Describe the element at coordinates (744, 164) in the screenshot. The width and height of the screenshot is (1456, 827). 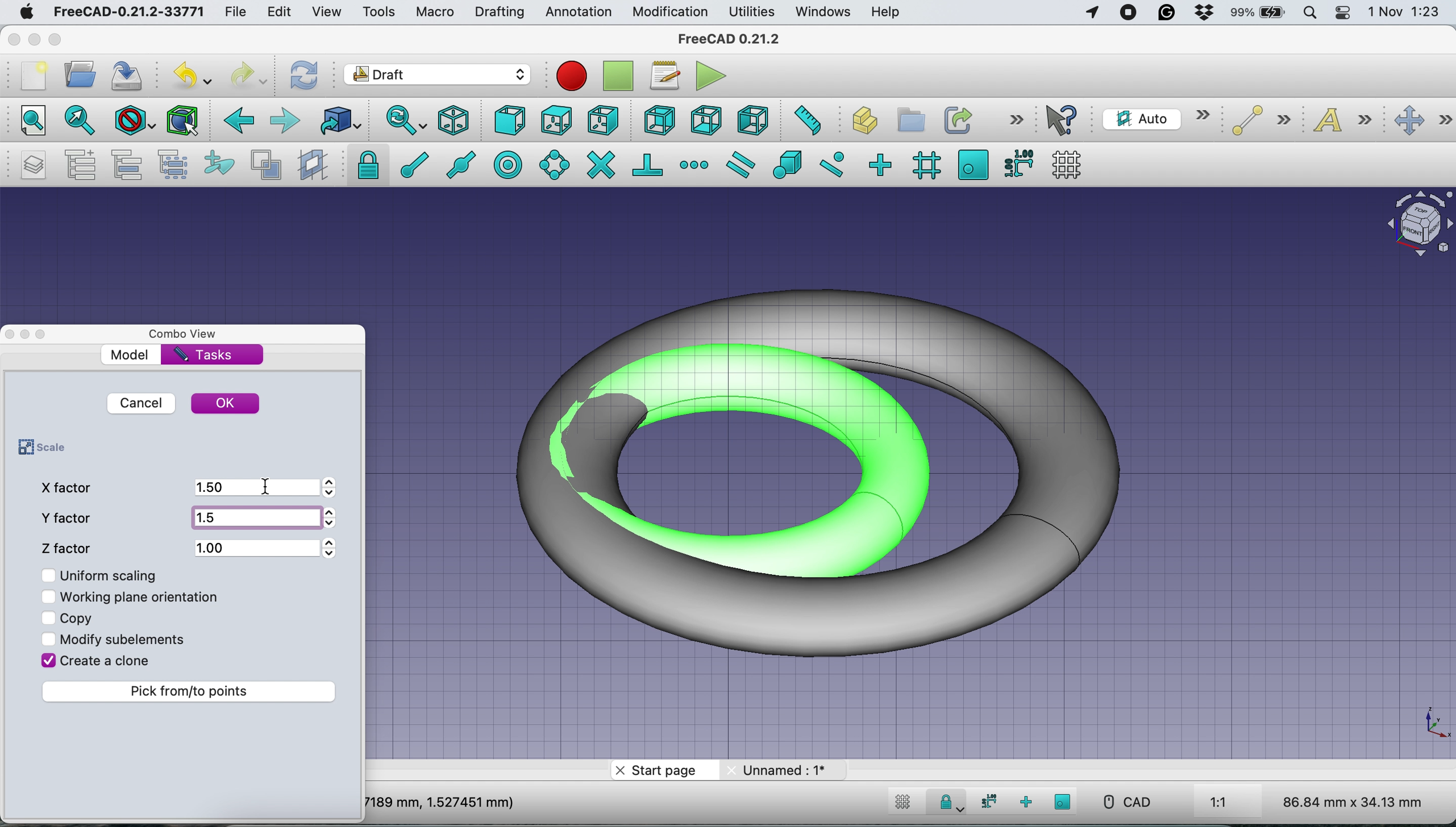
I see `snap parallel` at that location.